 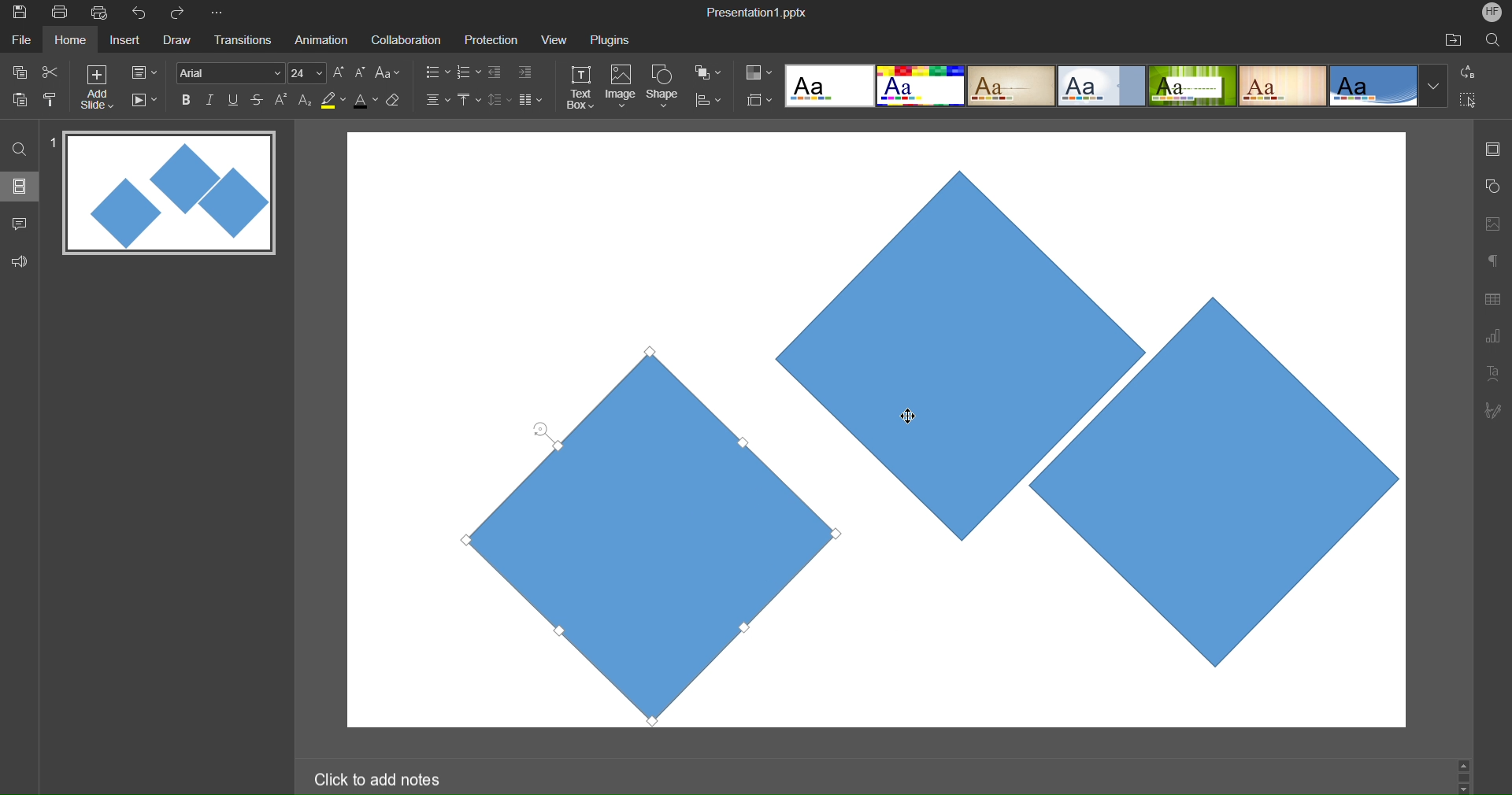 I want to click on Shape 1 (selected), so click(x=632, y=533).